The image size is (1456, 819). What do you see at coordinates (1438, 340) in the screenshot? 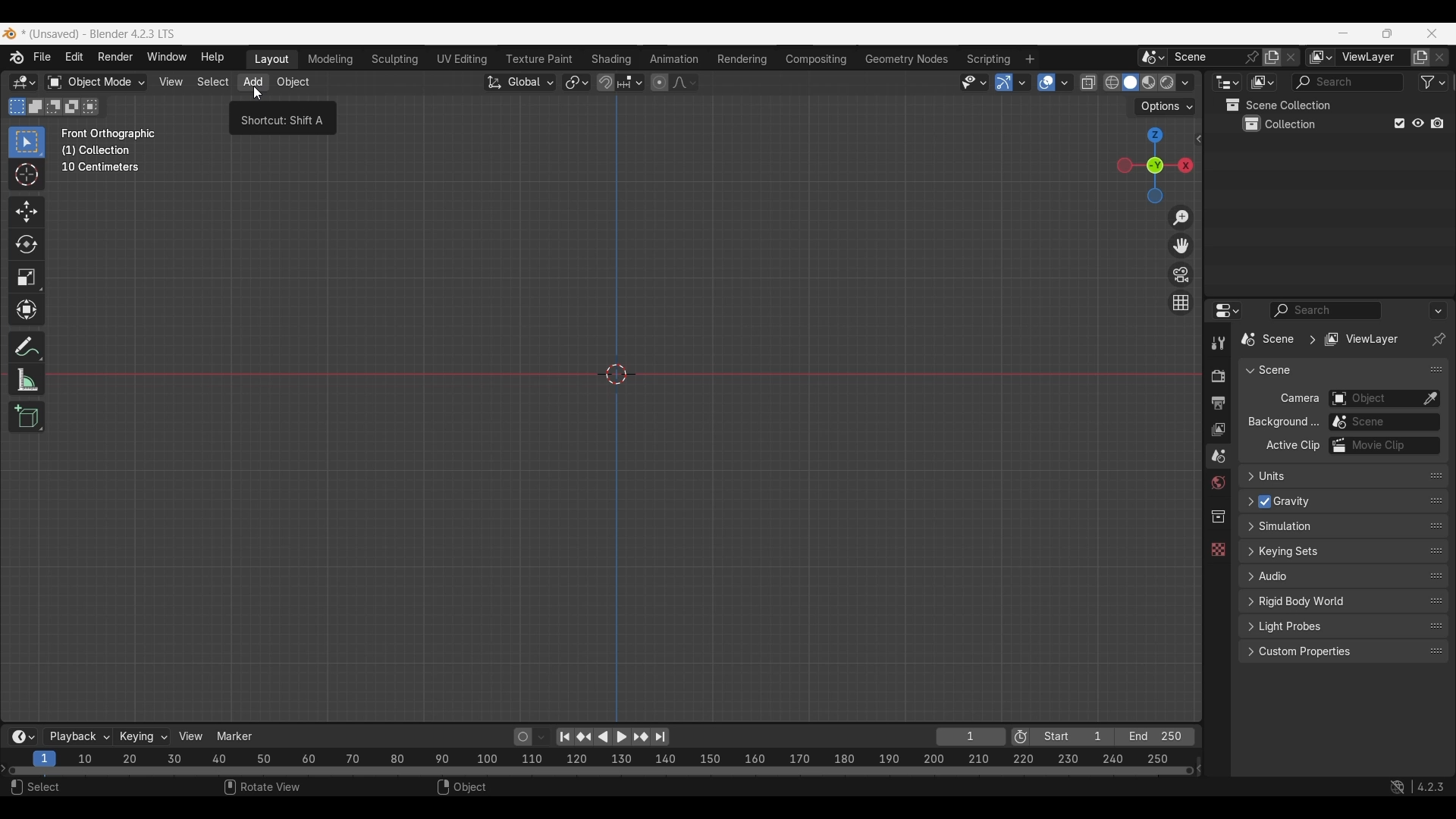
I see `Toggle pin ID` at bounding box center [1438, 340].